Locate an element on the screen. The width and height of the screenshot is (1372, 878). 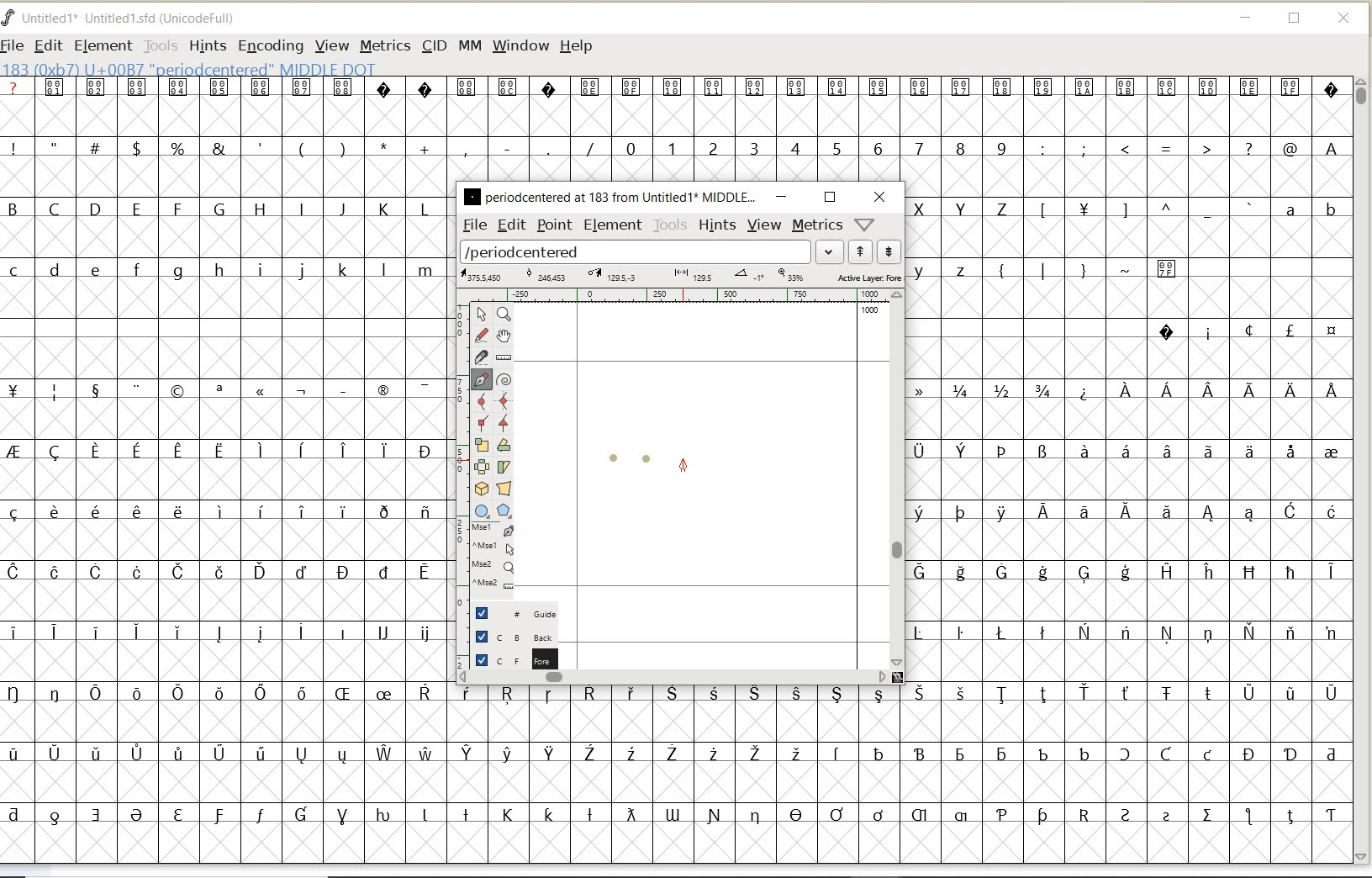
CID is located at coordinates (434, 48).